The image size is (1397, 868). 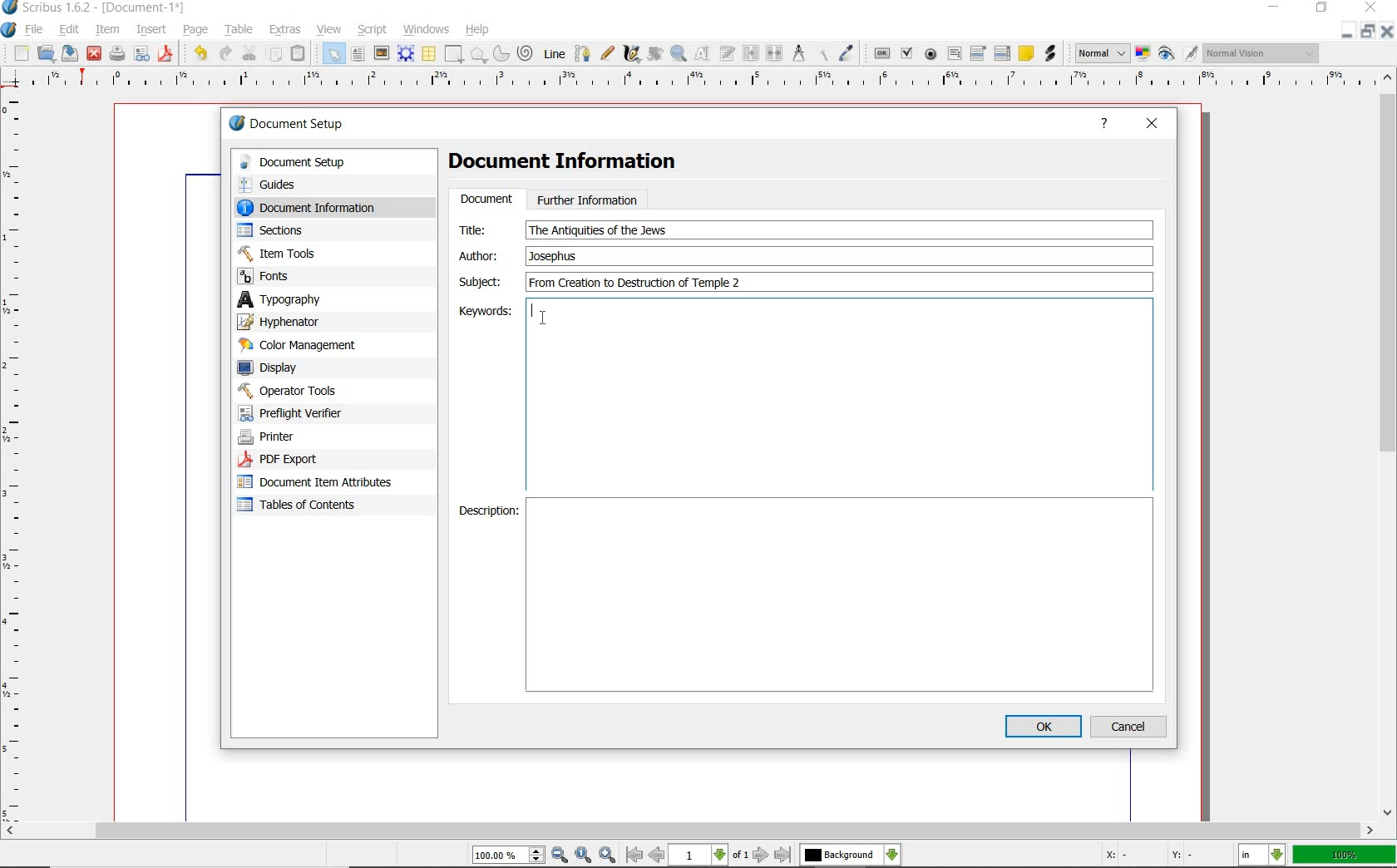 What do you see at coordinates (250, 53) in the screenshot?
I see `cut` at bounding box center [250, 53].